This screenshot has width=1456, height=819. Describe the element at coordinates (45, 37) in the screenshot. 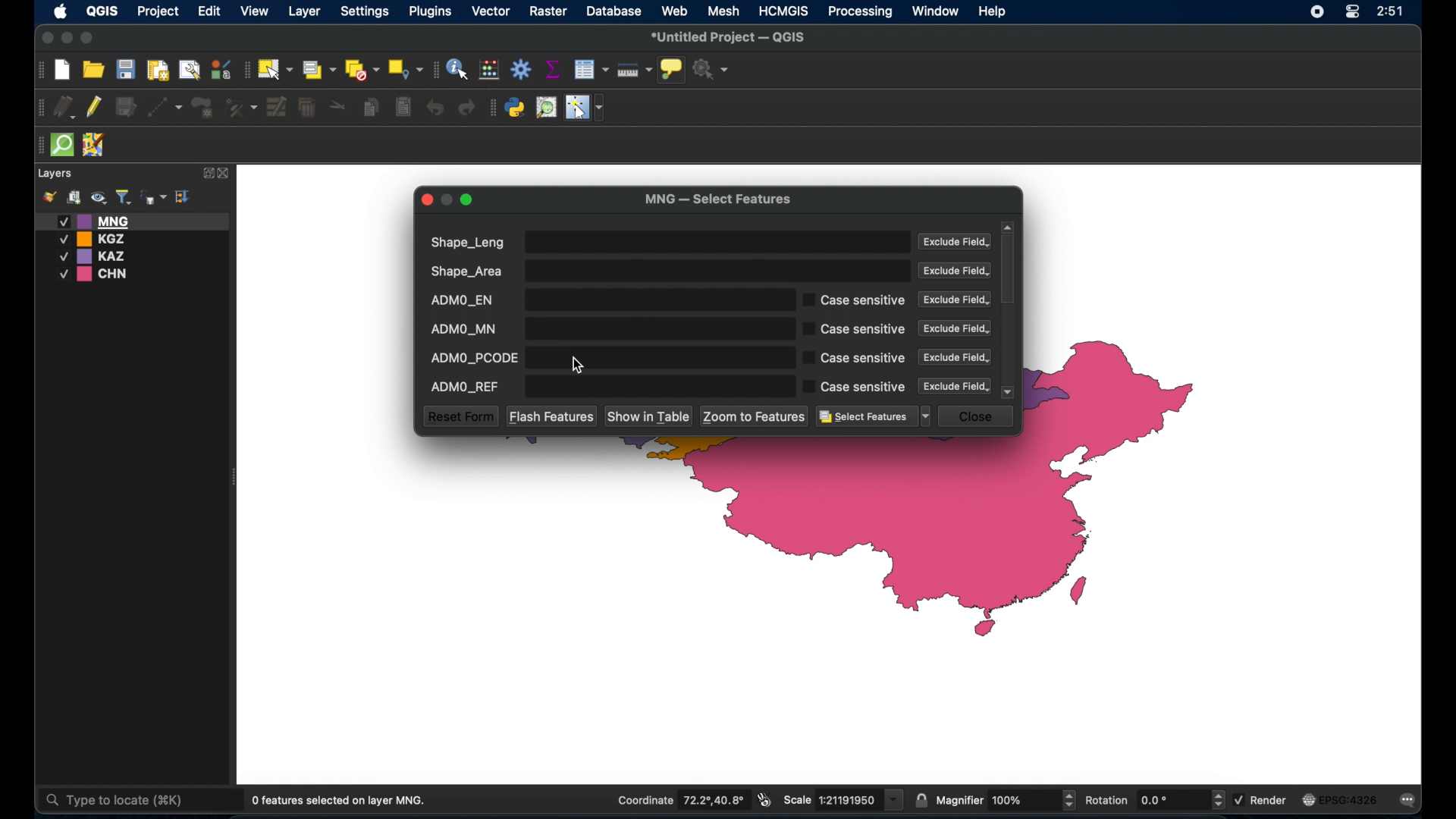

I see `close` at that location.